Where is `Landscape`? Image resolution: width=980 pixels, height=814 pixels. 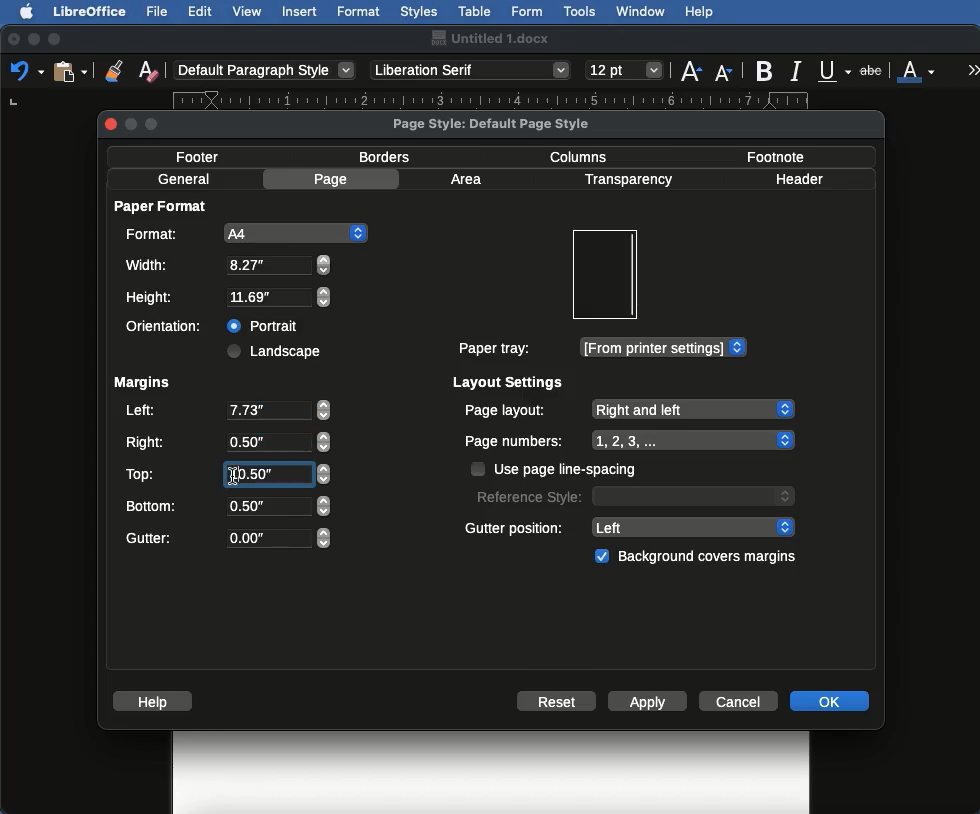
Landscape is located at coordinates (277, 351).